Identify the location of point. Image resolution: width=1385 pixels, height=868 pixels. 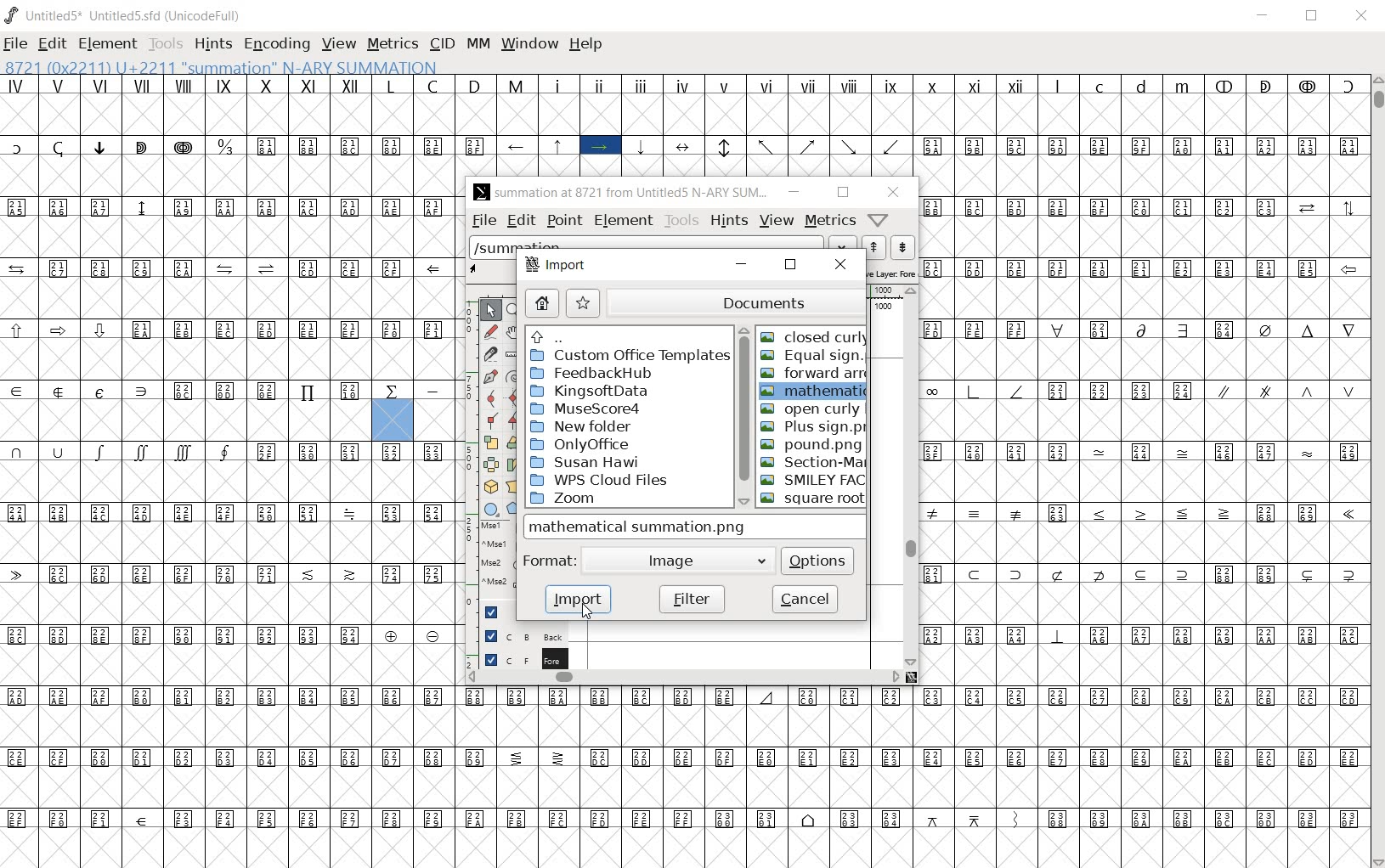
(563, 221).